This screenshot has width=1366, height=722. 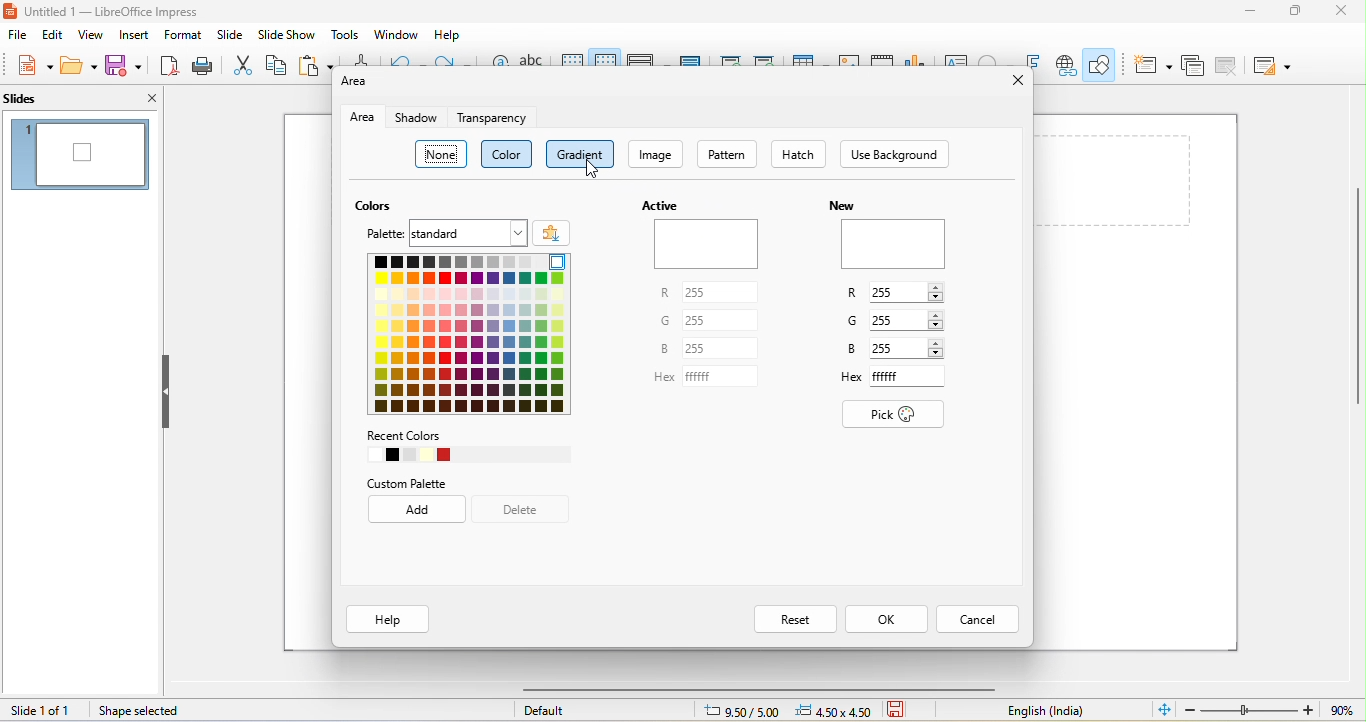 What do you see at coordinates (12, 14) in the screenshot?
I see `logo` at bounding box center [12, 14].